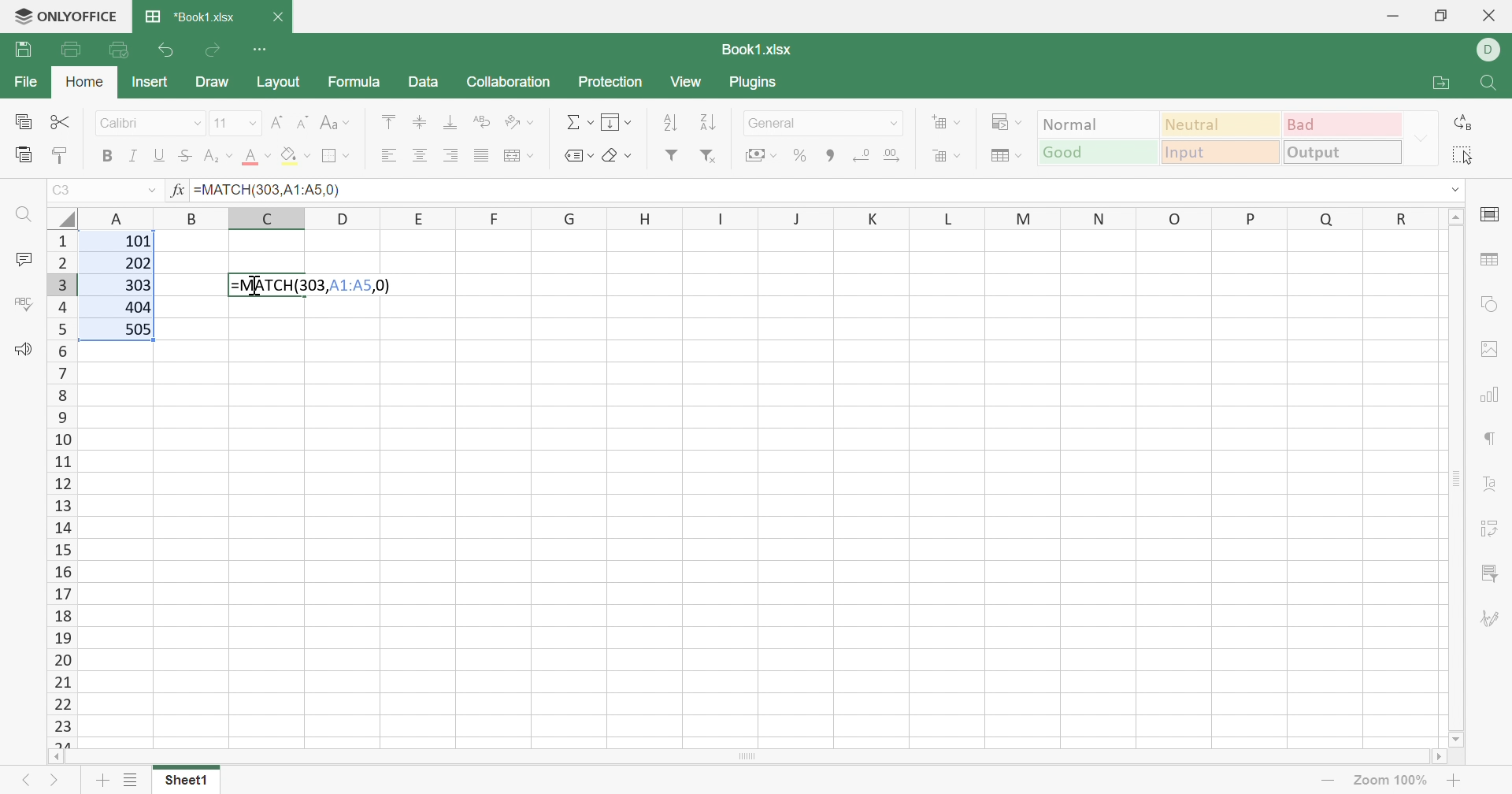 The image size is (1512, 794). Describe the element at coordinates (1491, 302) in the screenshot. I see `shape settings` at that location.